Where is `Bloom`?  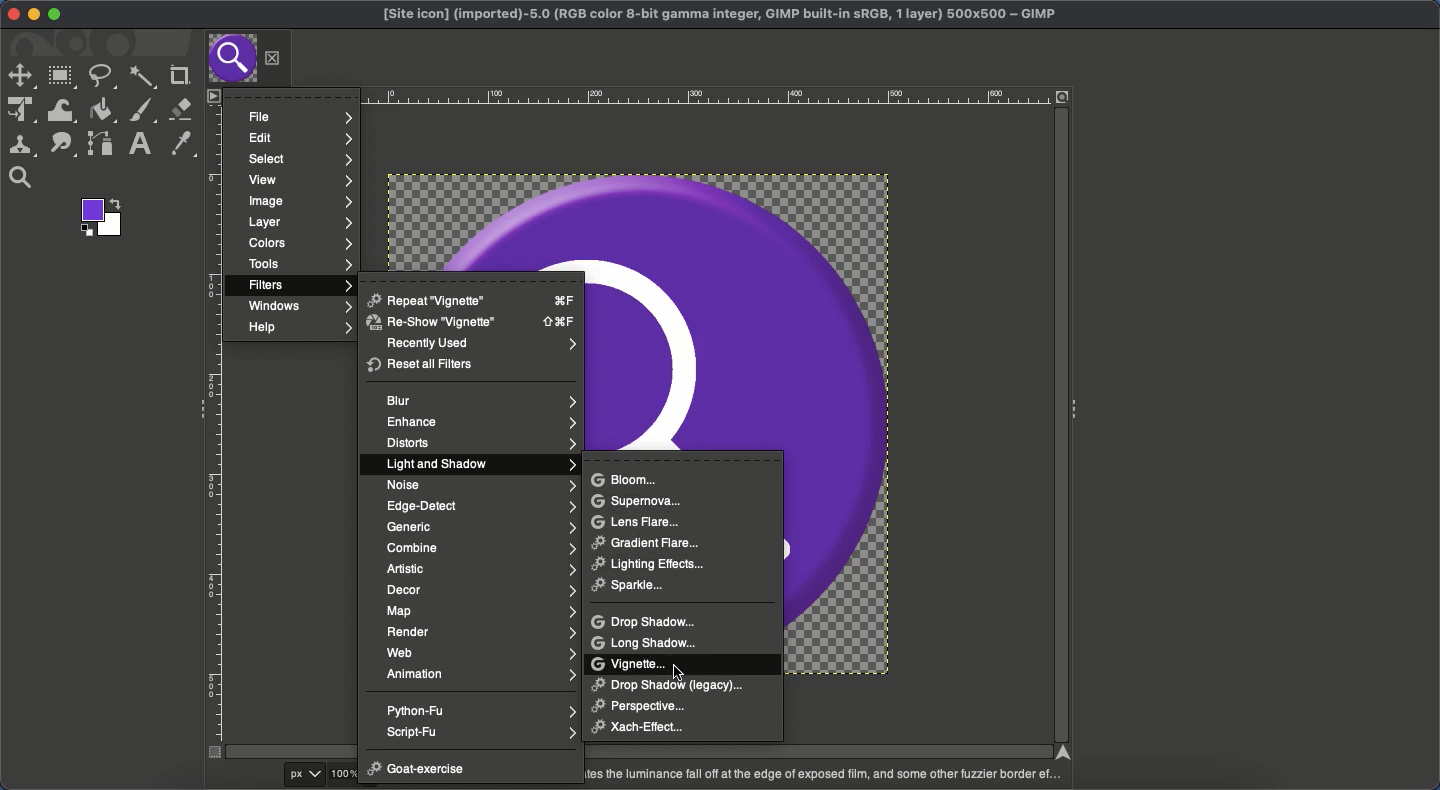 Bloom is located at coordinates (624, 479).